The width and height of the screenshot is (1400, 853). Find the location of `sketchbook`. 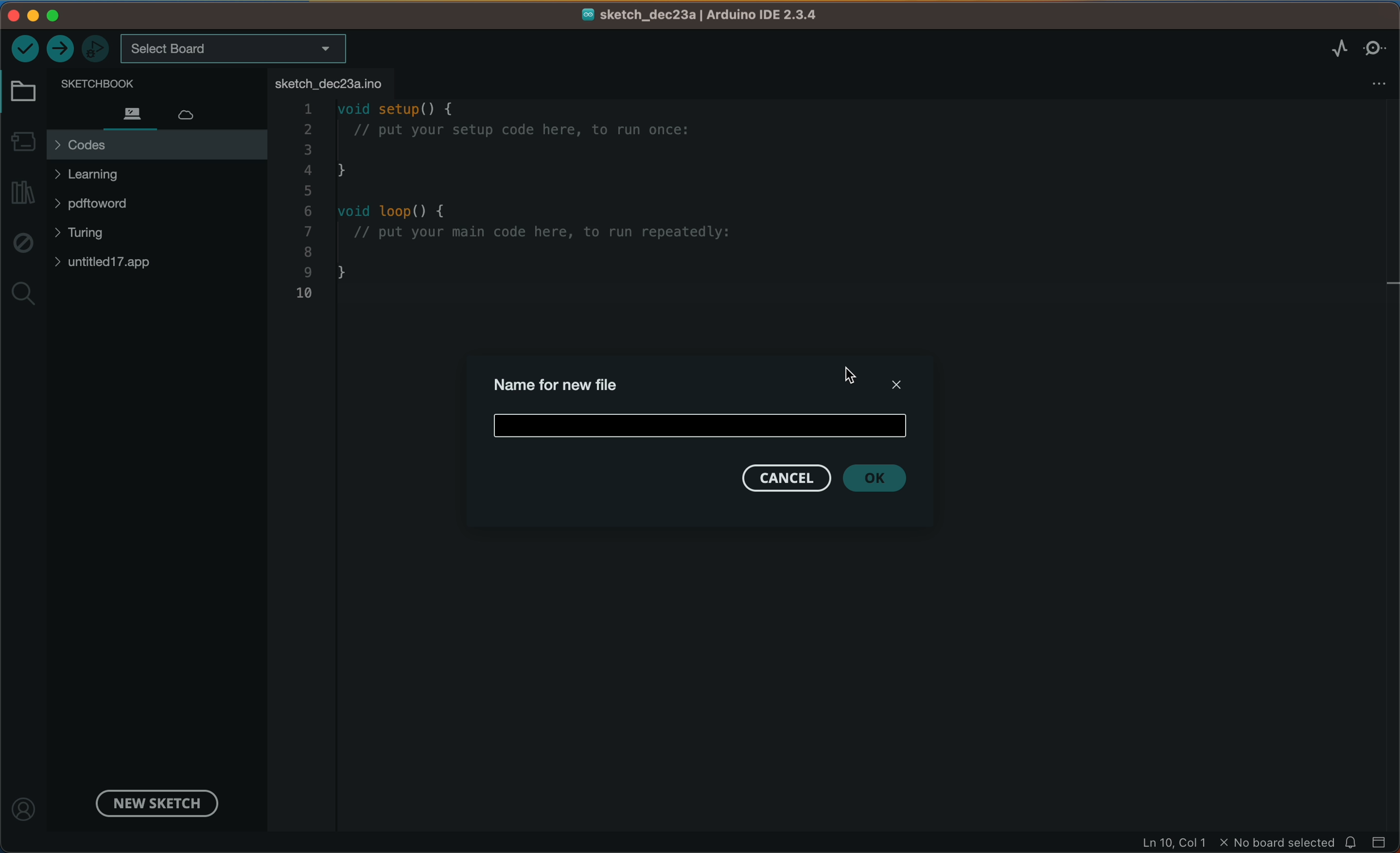

sketchbook is located at coordinates (140, 82).